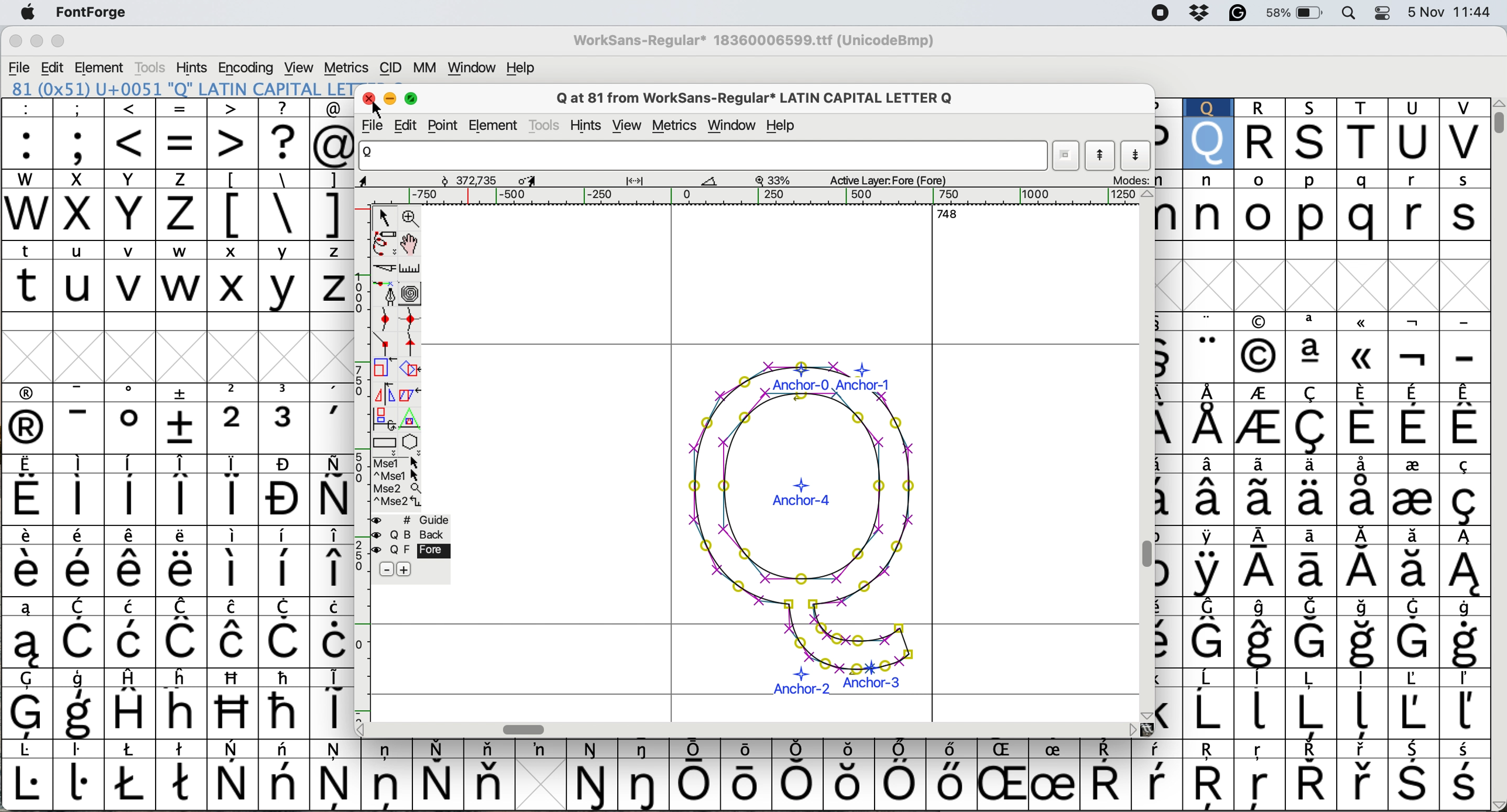  What do you see at coordinates (386, 245) in the screenshot?
I see `draw freehand scale` at bounding box center [386, 245].